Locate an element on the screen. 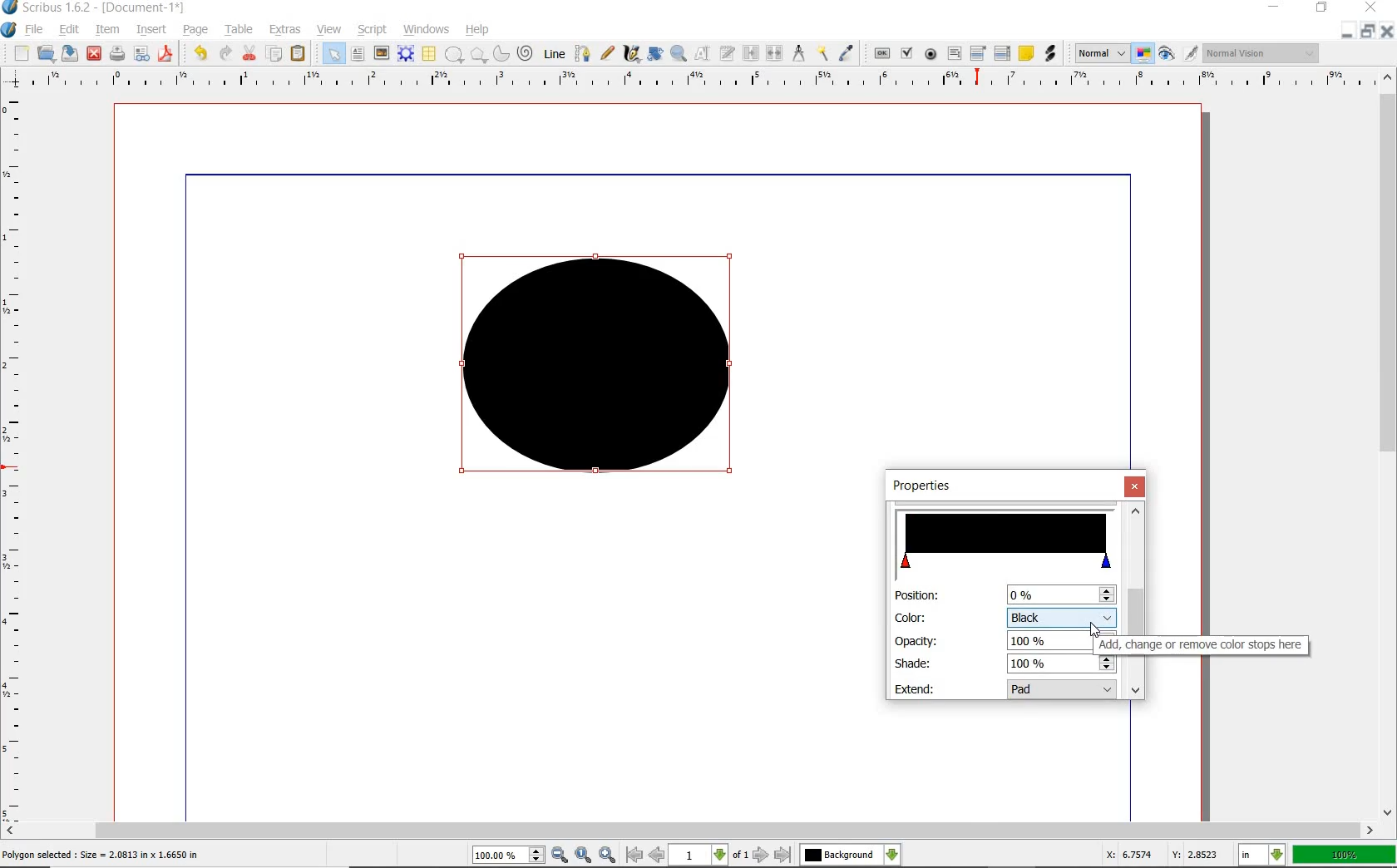 Image resolution: width=1397 pixels, height=868 pixels. visual appearance of the display is located at coordinates (1261, 54).